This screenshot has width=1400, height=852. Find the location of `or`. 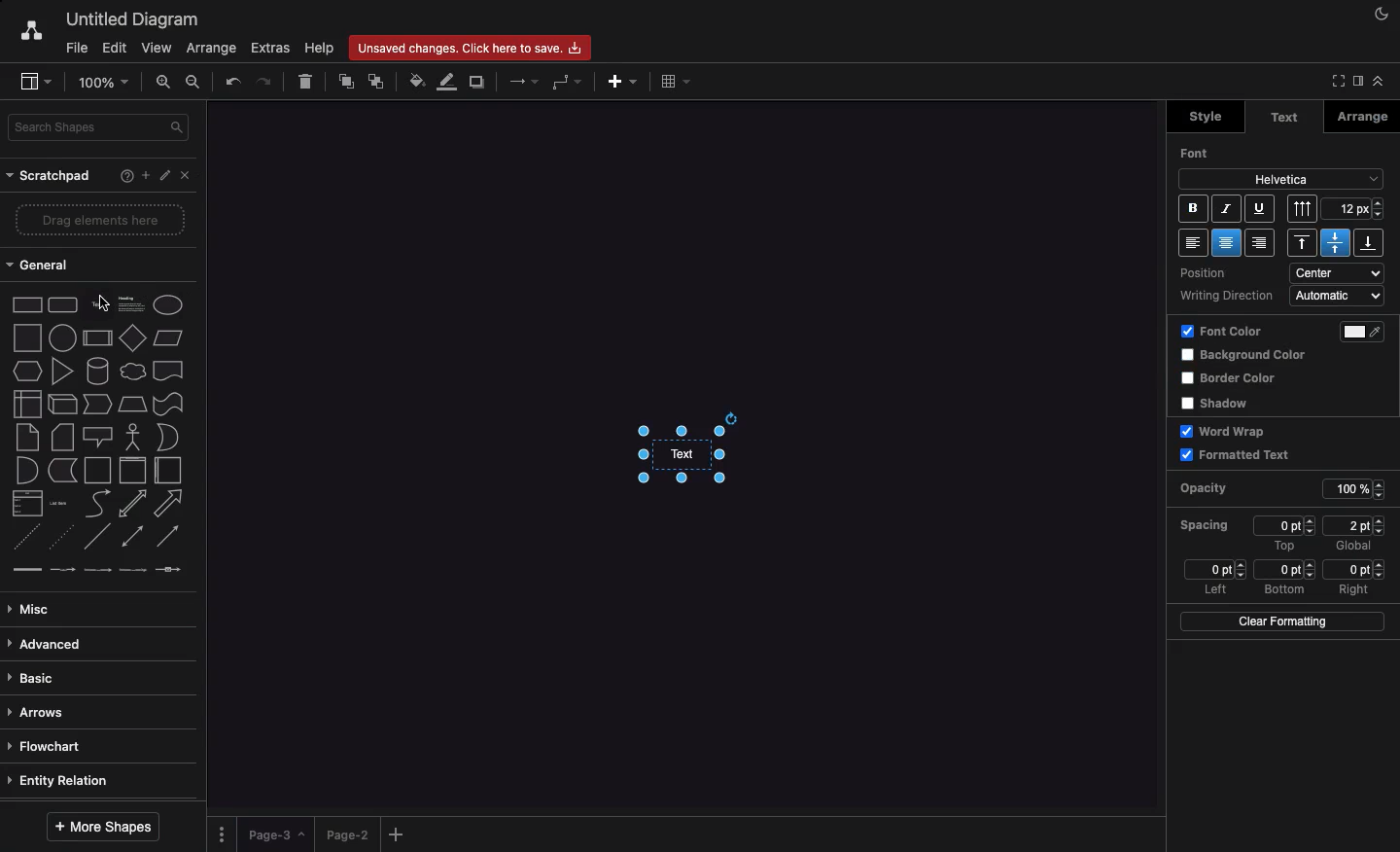

or is located at coordinates (168, 437).